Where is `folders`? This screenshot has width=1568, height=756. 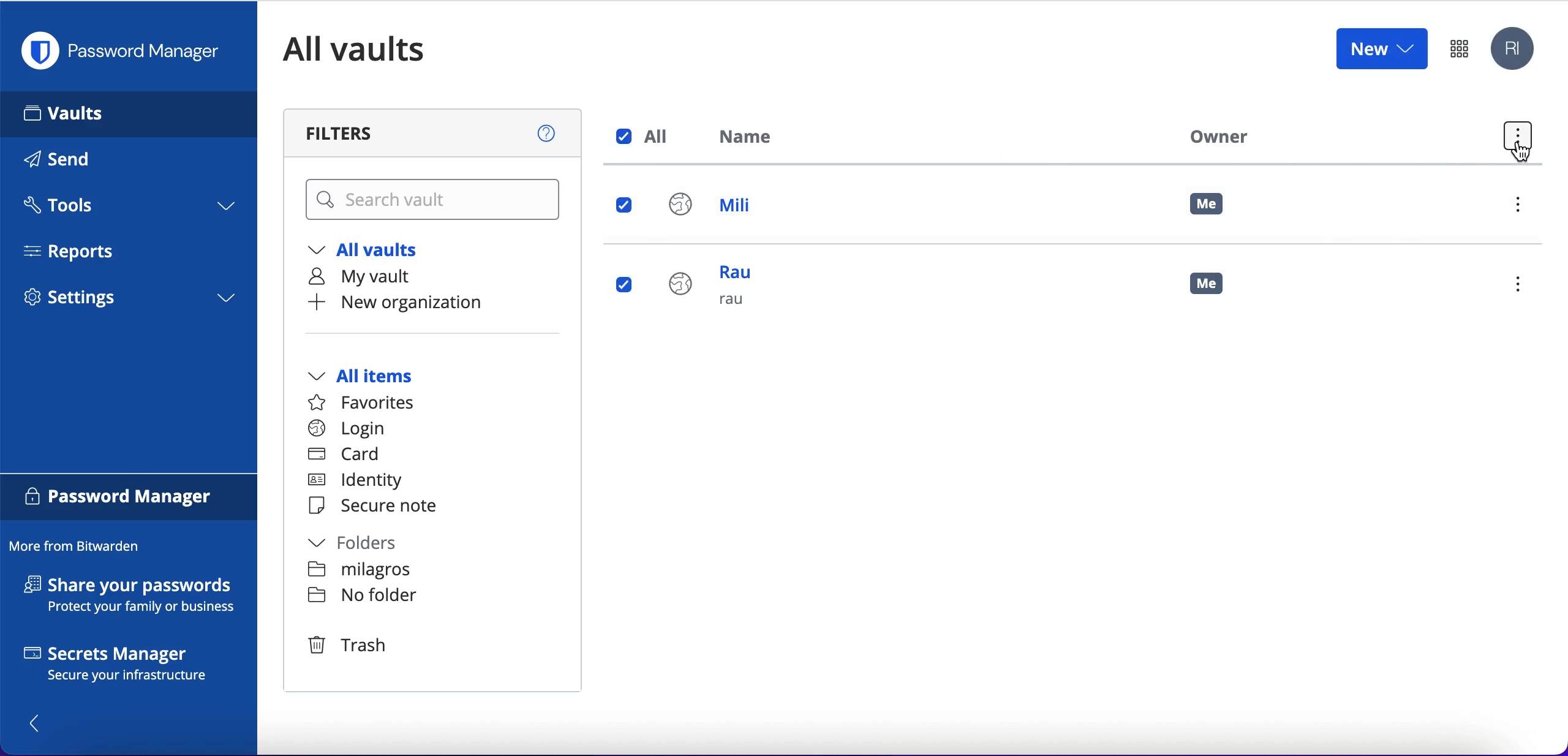
folders is located at coordinates (366, 545).